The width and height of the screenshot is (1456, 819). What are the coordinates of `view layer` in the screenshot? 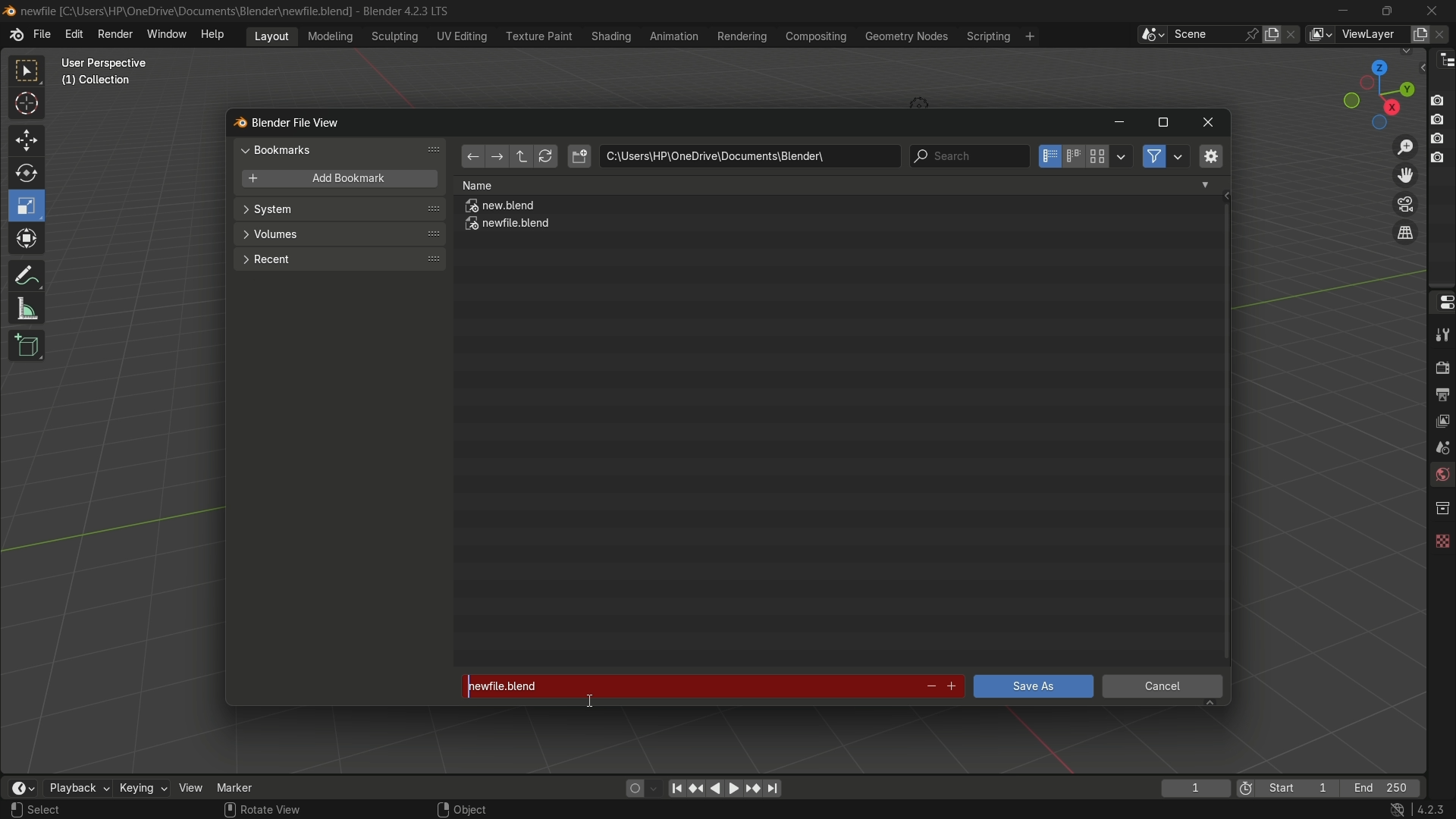 It's located at (1441, 419).